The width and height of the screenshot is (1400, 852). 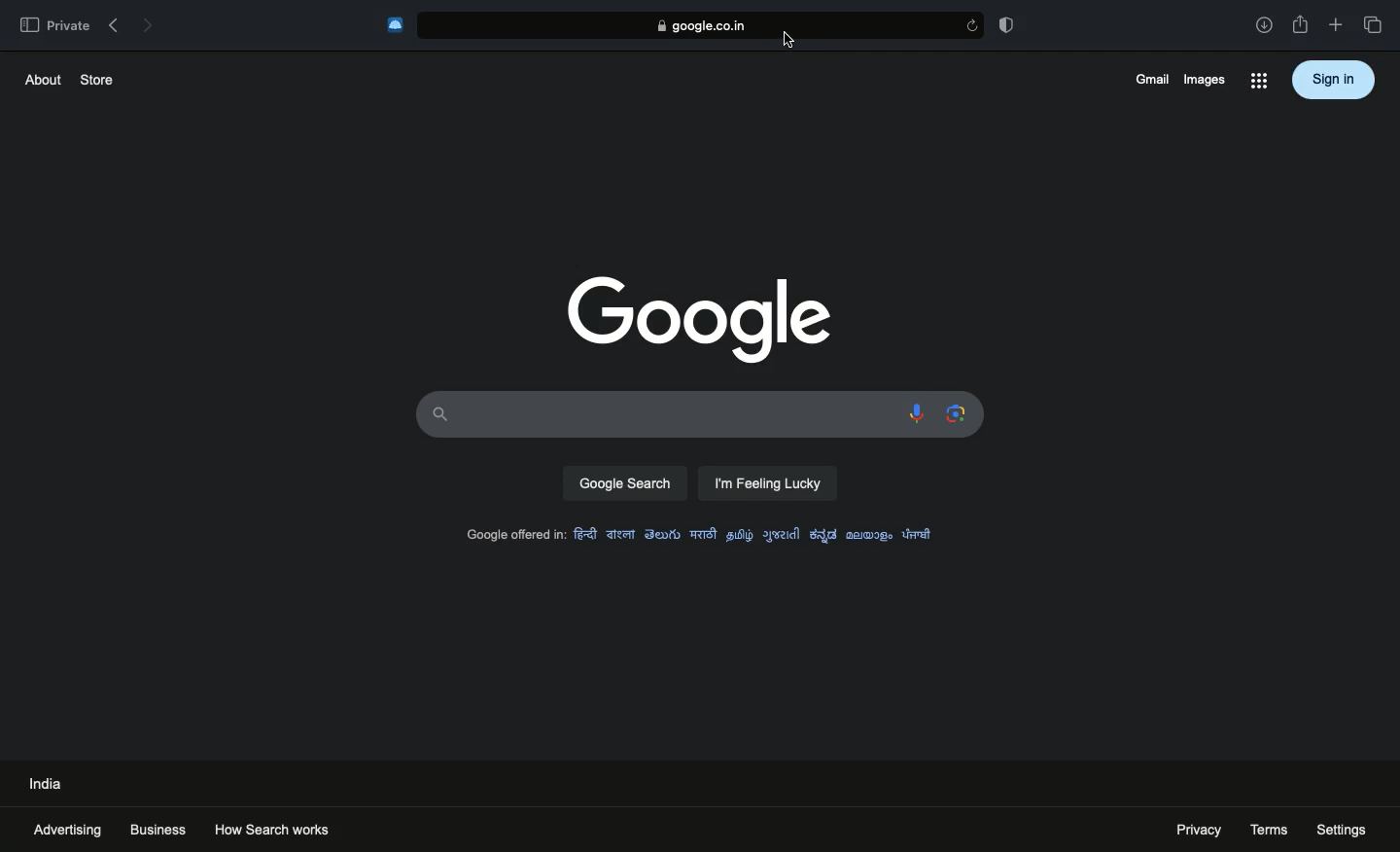 I want to click on images, so click(x=1204, y=79).